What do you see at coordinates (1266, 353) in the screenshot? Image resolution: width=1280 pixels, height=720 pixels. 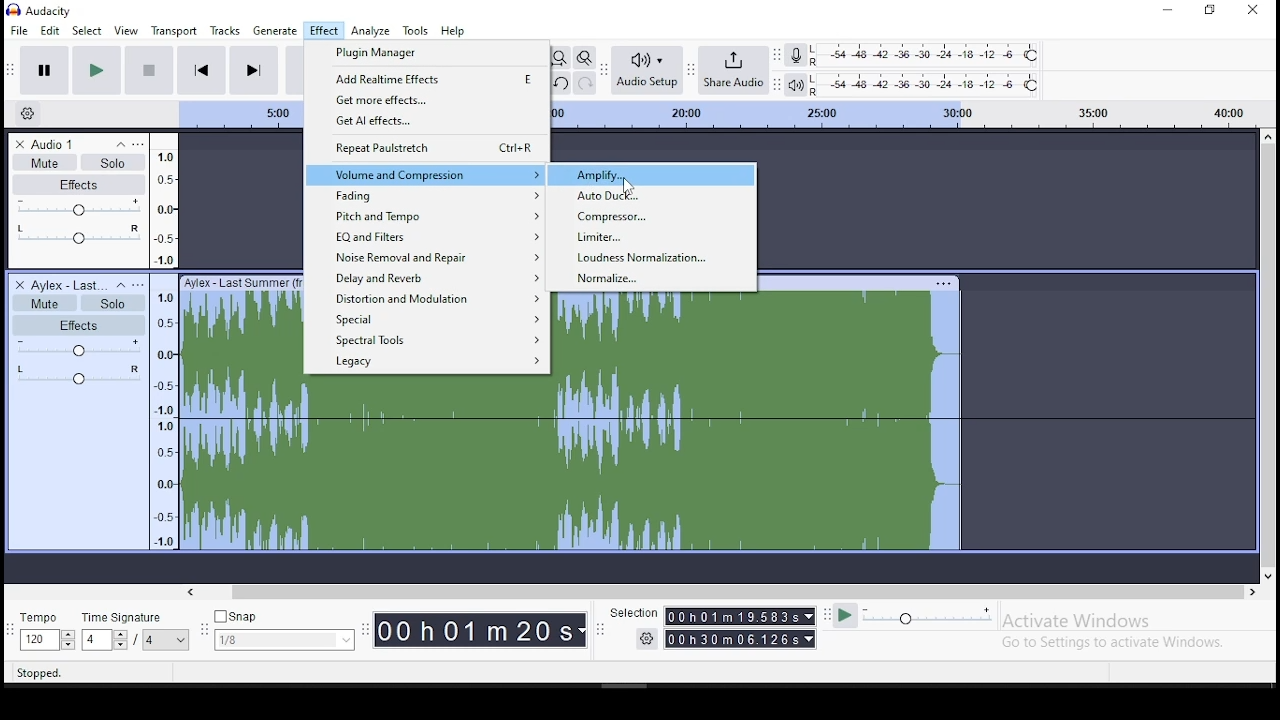 I see `scroll bar` at bounding box center [1266, 353].